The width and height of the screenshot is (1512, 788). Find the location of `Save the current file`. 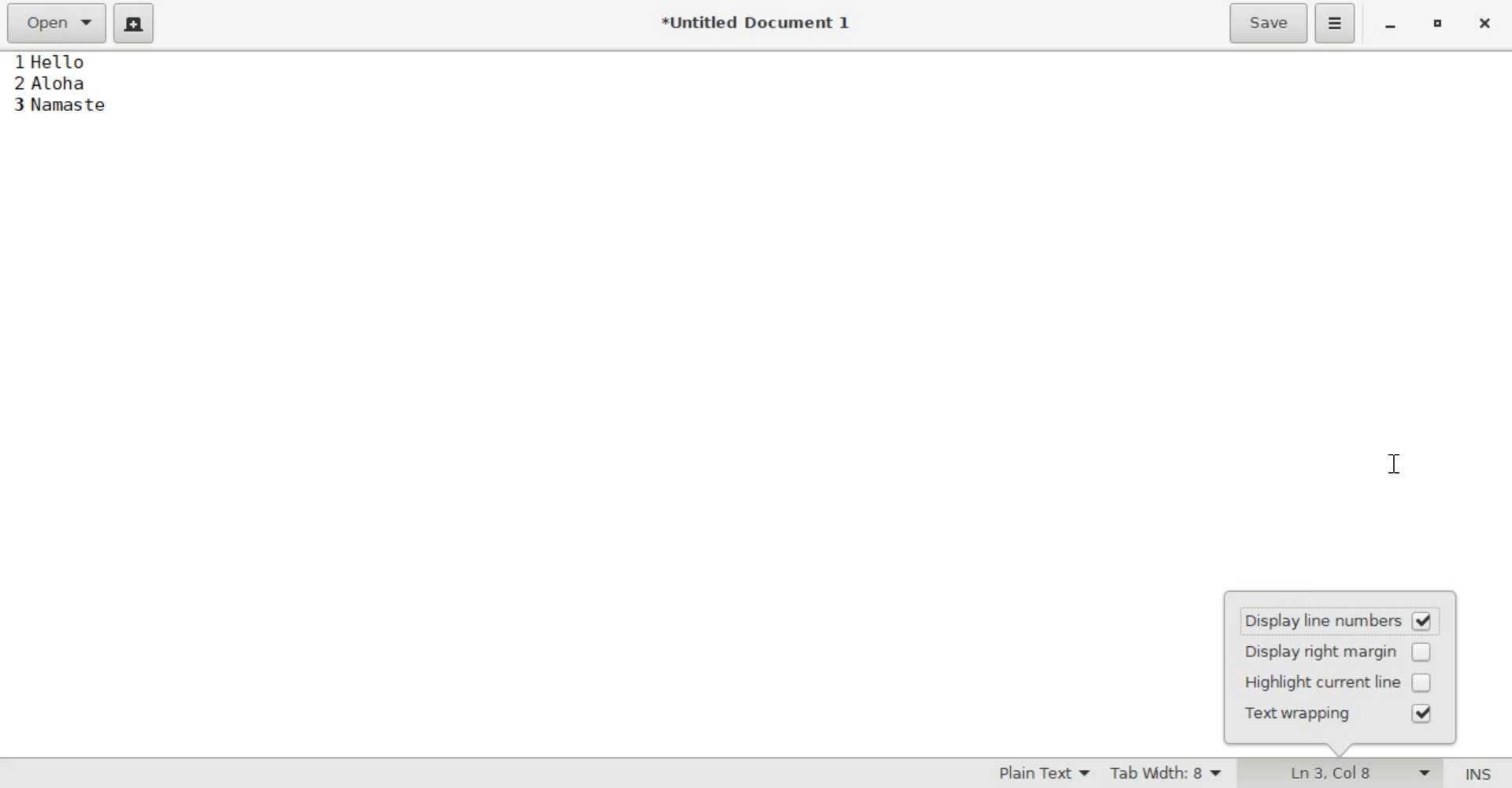

Save the current file is located at coordinates (1268, 24).